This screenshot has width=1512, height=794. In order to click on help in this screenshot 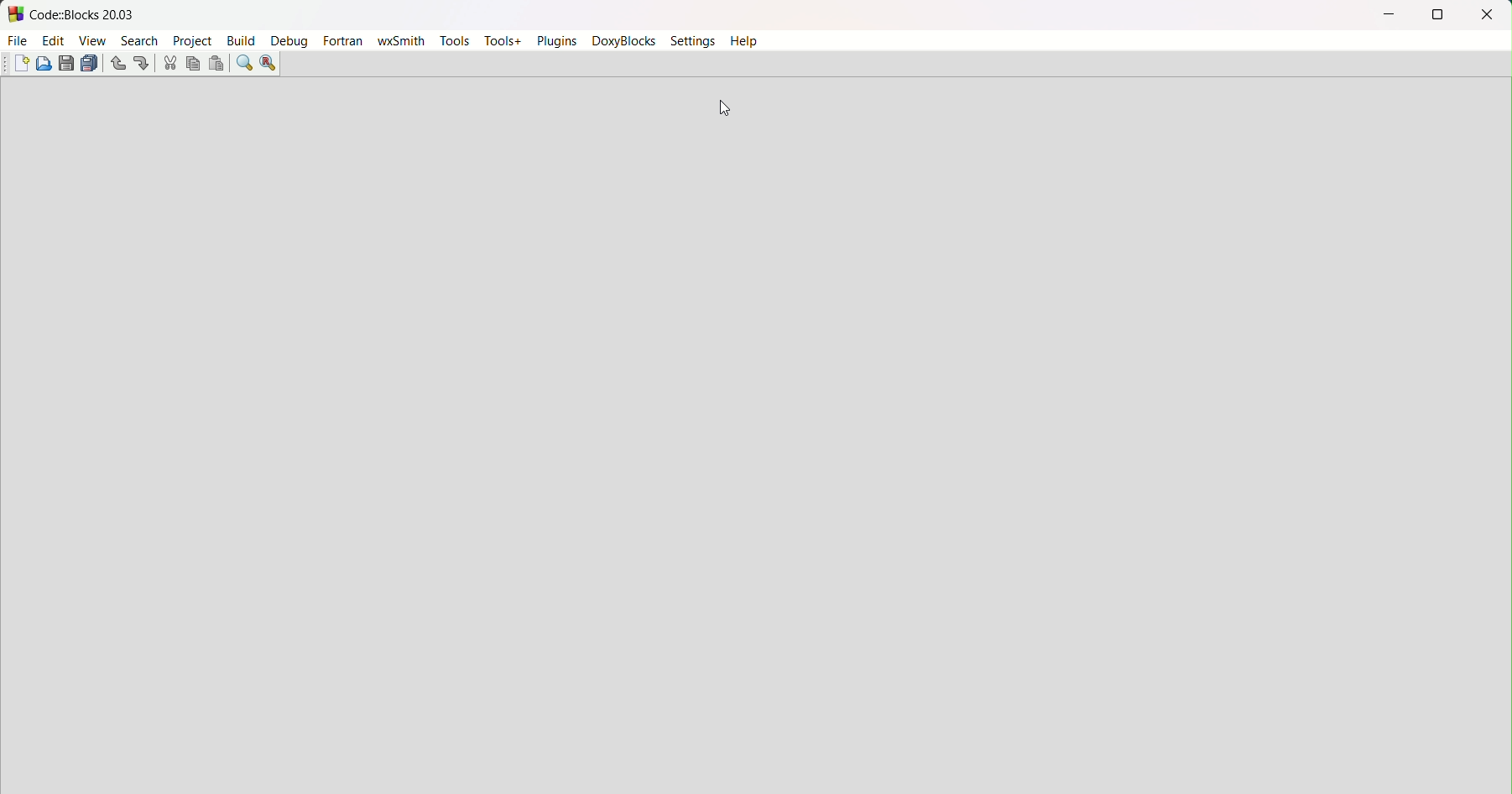, I will do `click(745, 40)`.